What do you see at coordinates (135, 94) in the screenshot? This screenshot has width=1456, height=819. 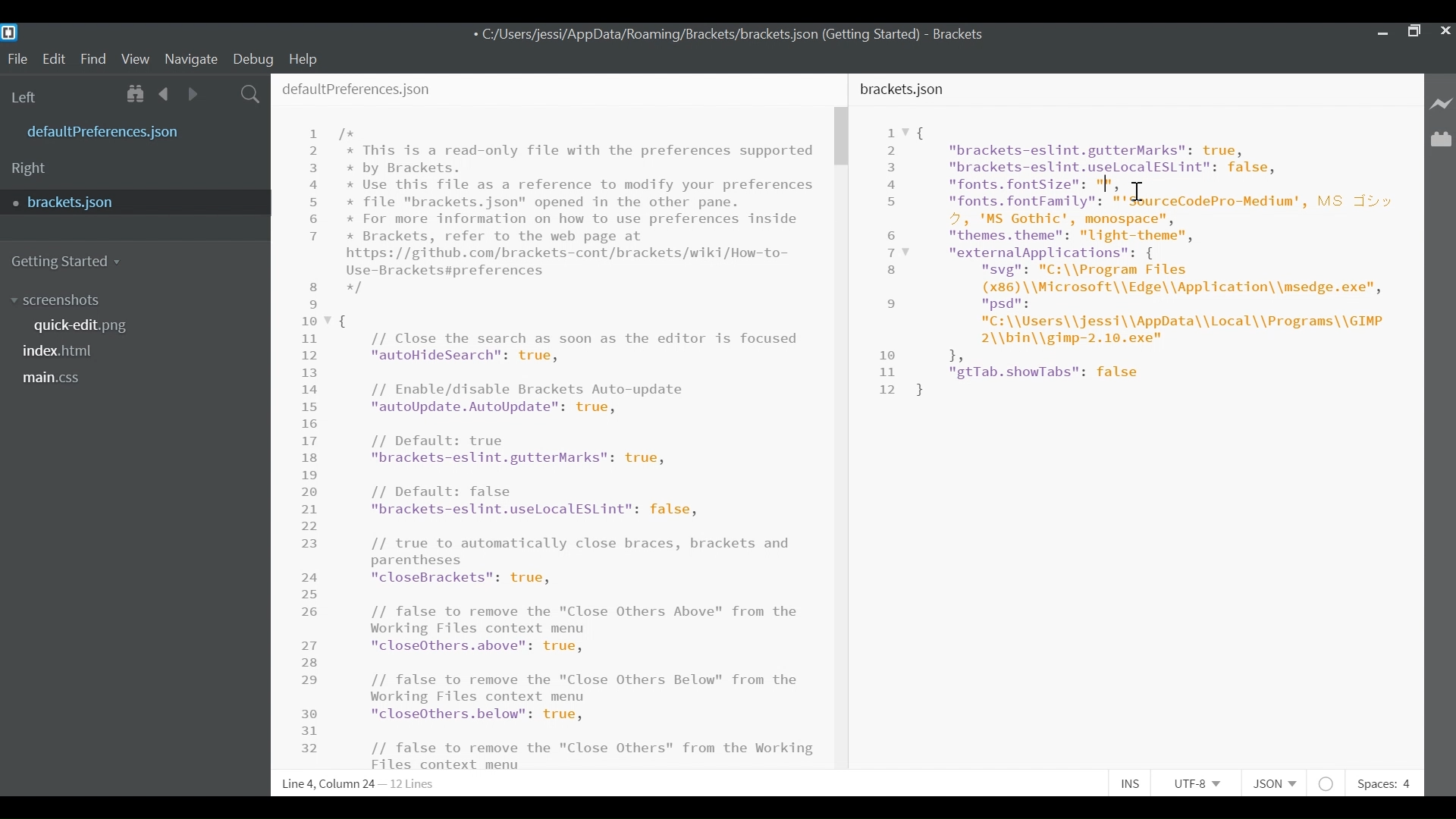 I see `Show in File tree` at bounding box center [135, 94].